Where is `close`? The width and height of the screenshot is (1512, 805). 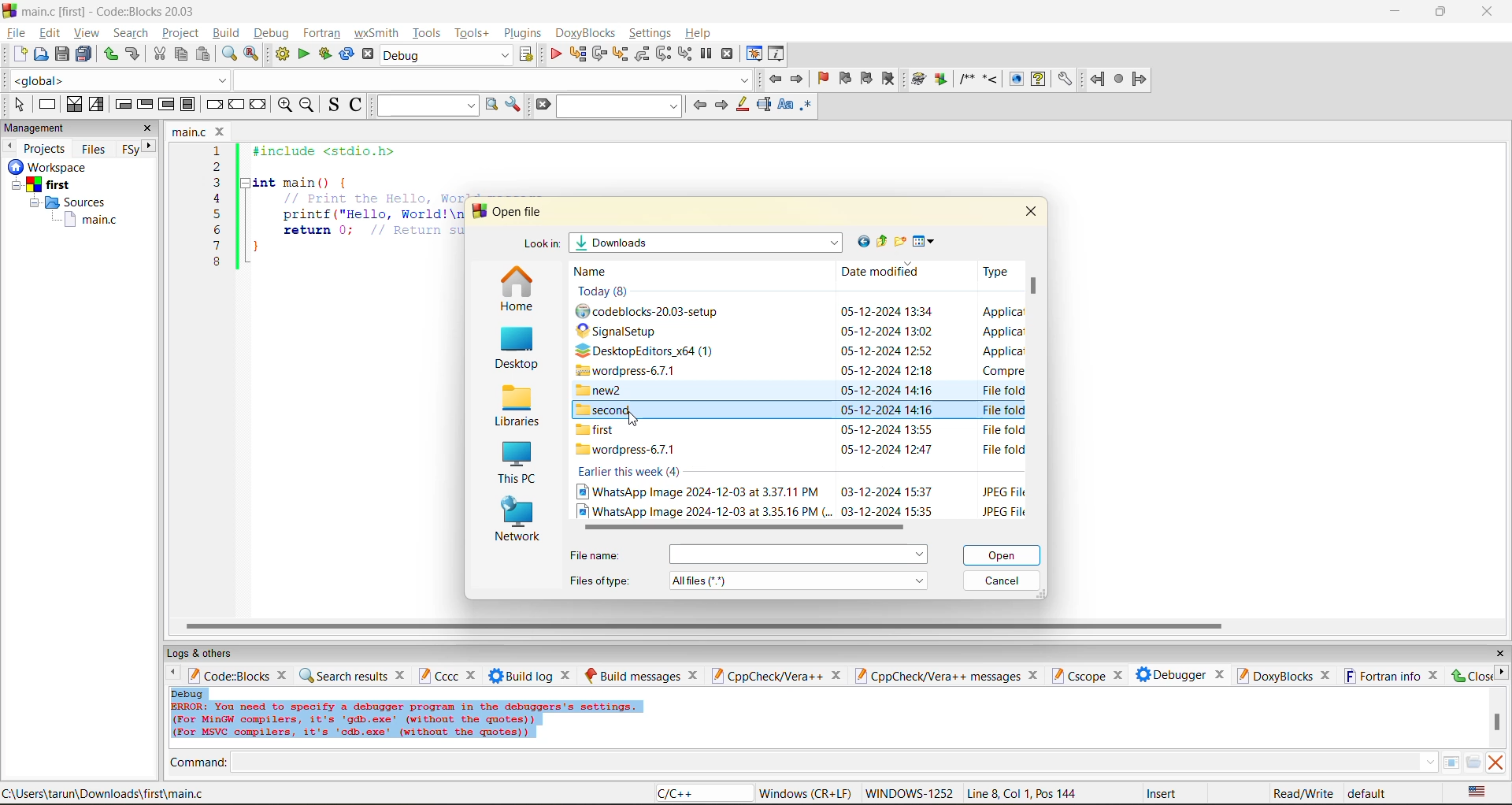
close is located at coordinates (1220, 673).